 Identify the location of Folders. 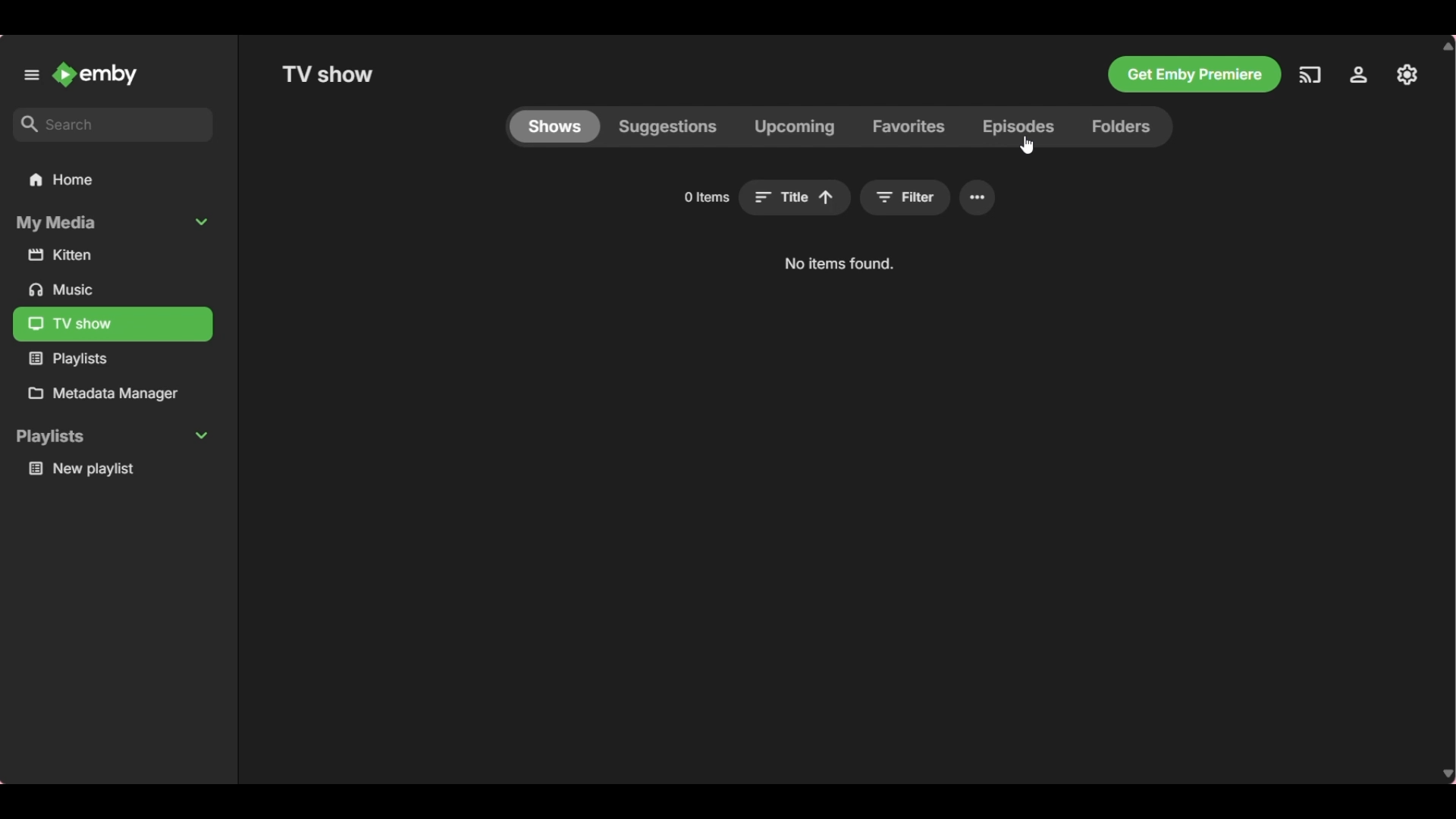
(1128, 127).